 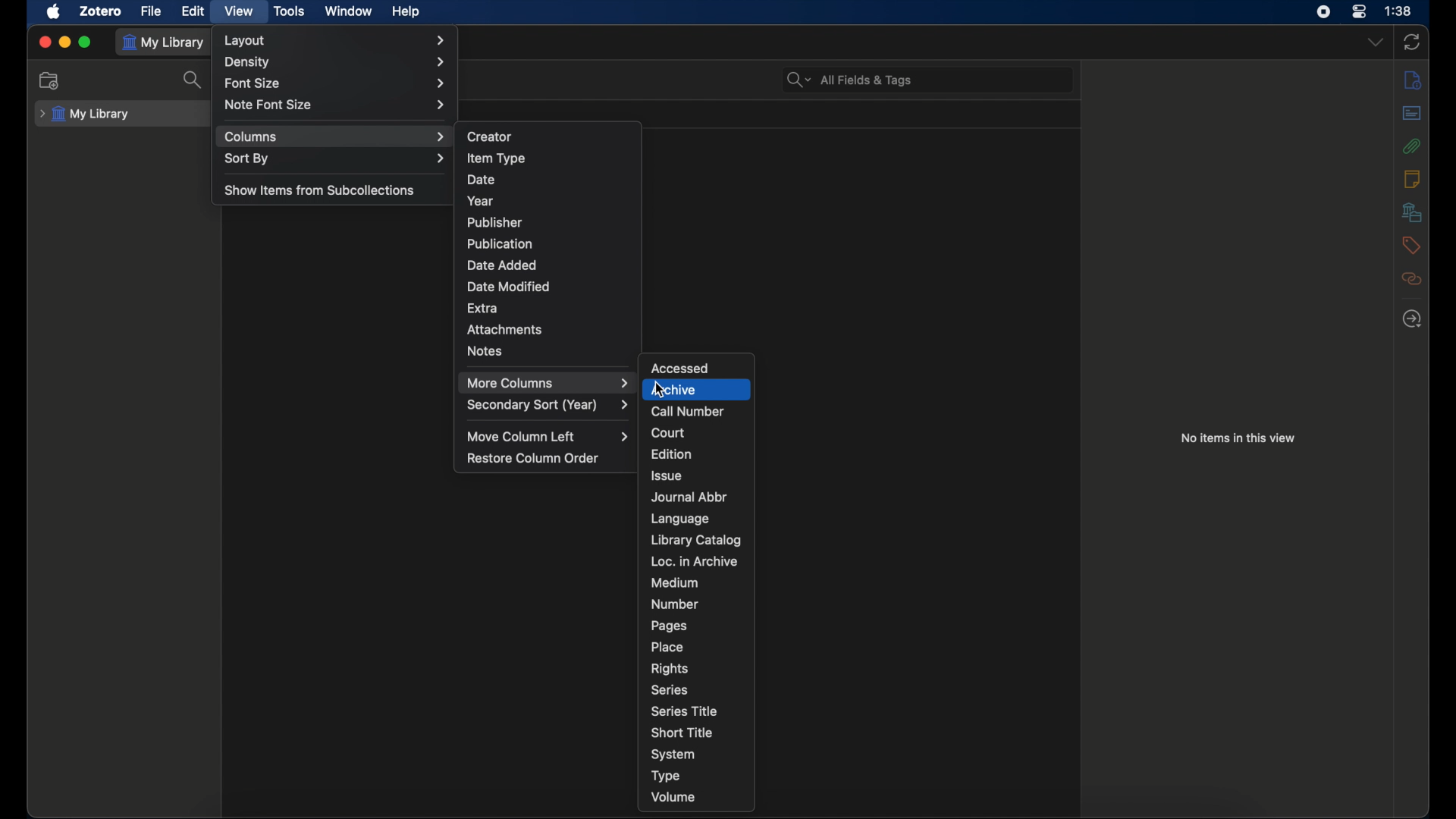 I want to click on attachments, so click(x=505, y=328).